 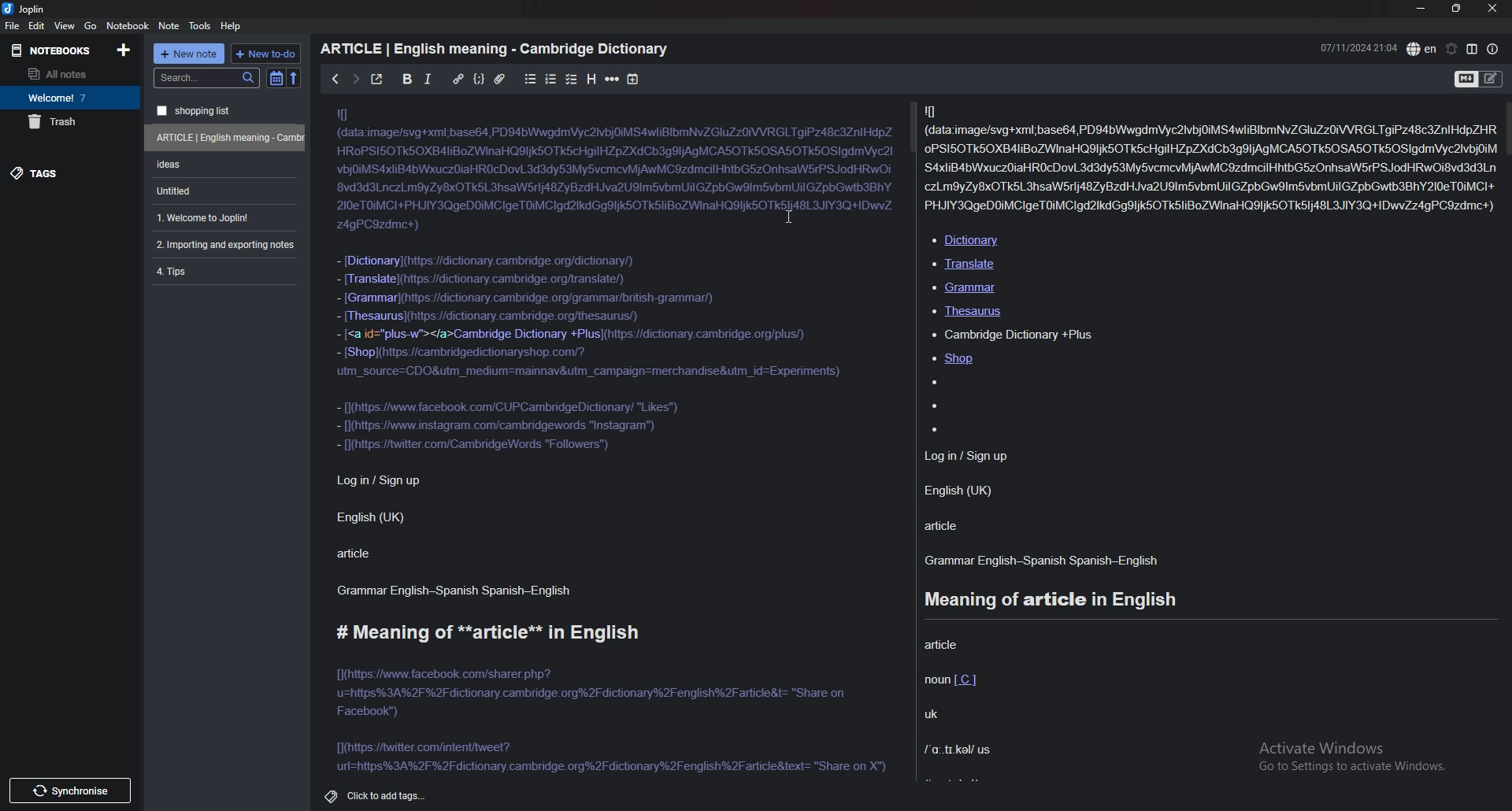 What do you see at coordinates (479, 81) in the screenshot?
I see `code` at bounding box center [479, 81].